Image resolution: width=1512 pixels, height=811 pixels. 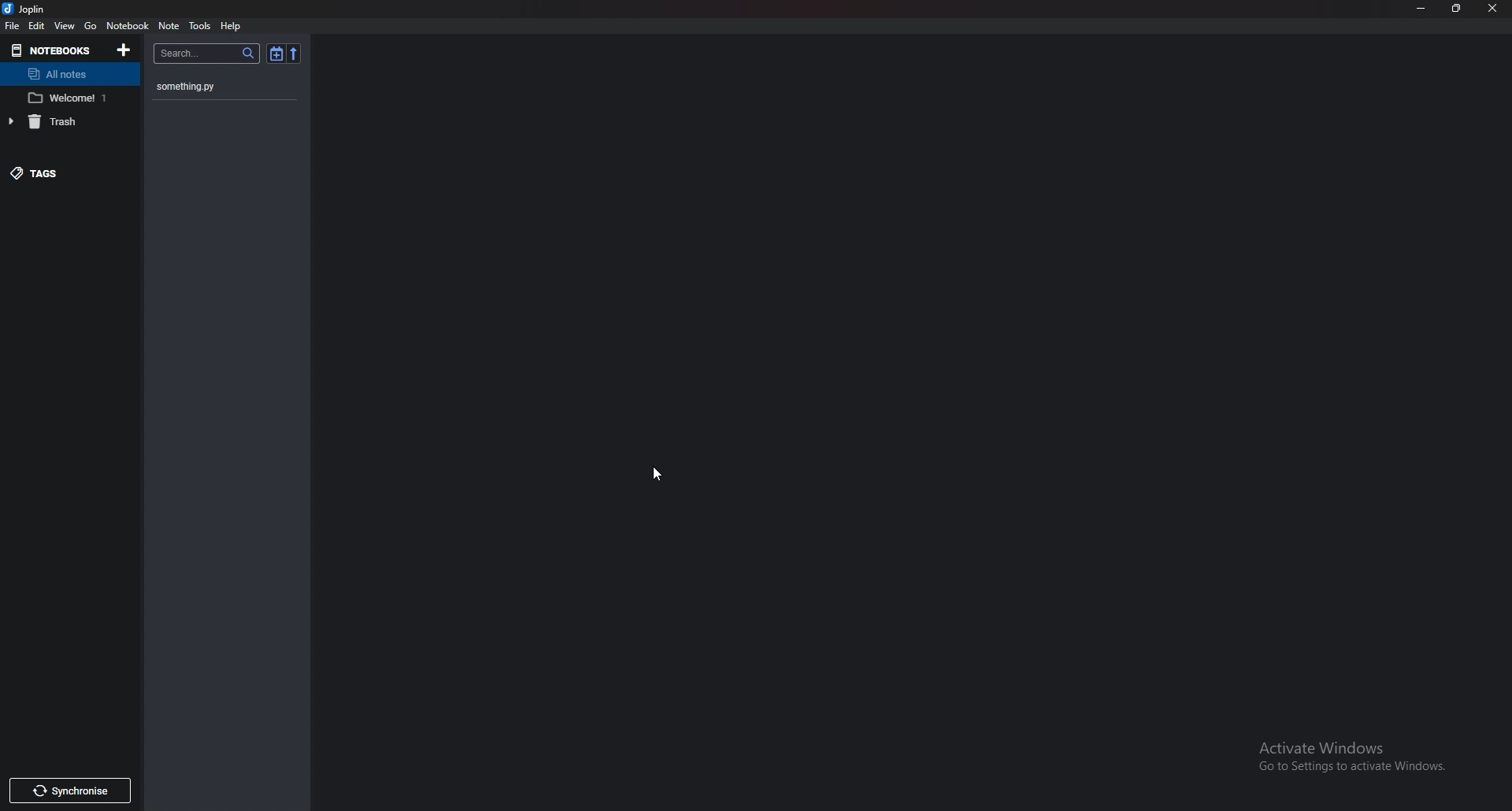 What do you see at coordinates (1421, 9) in the screenshot?
I see `Minimize` at bounding box center [1421, 9].